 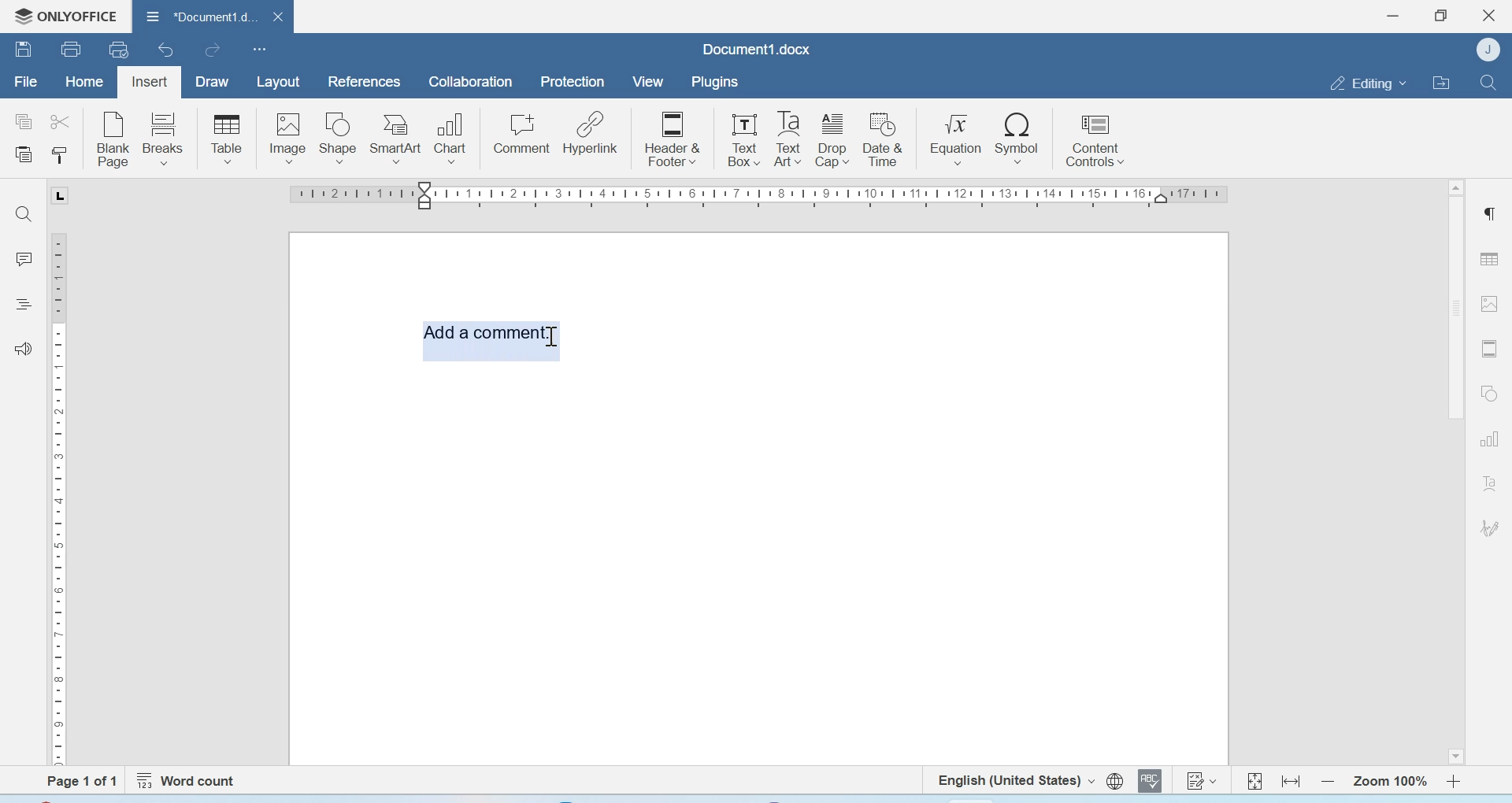 What do you see at coordinates (1455, 781) in the screenshot?
I see `Zoom in` at bounding box center [1455, 781].